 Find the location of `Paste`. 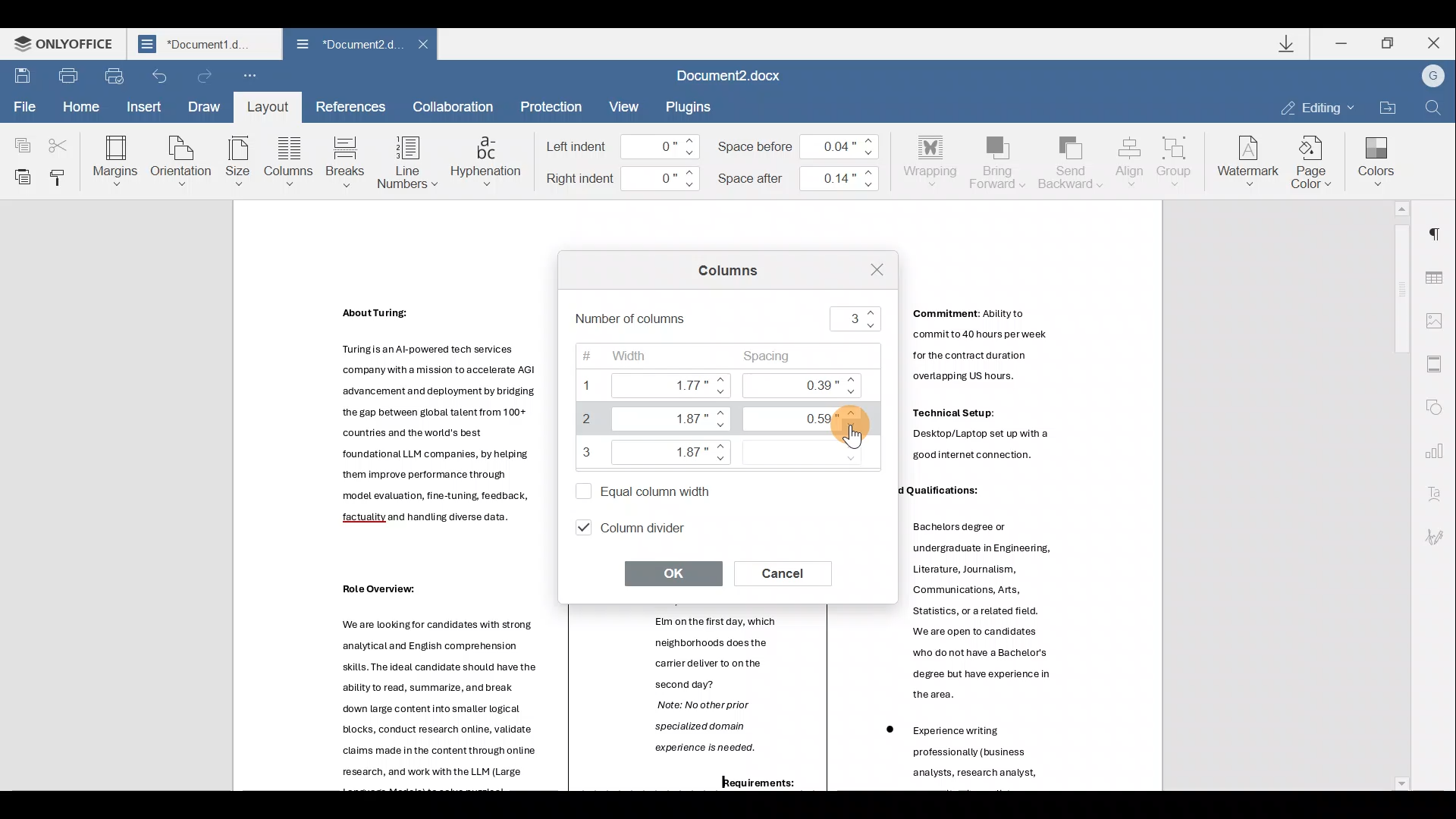

Paste is located at coordinates (19, 175).